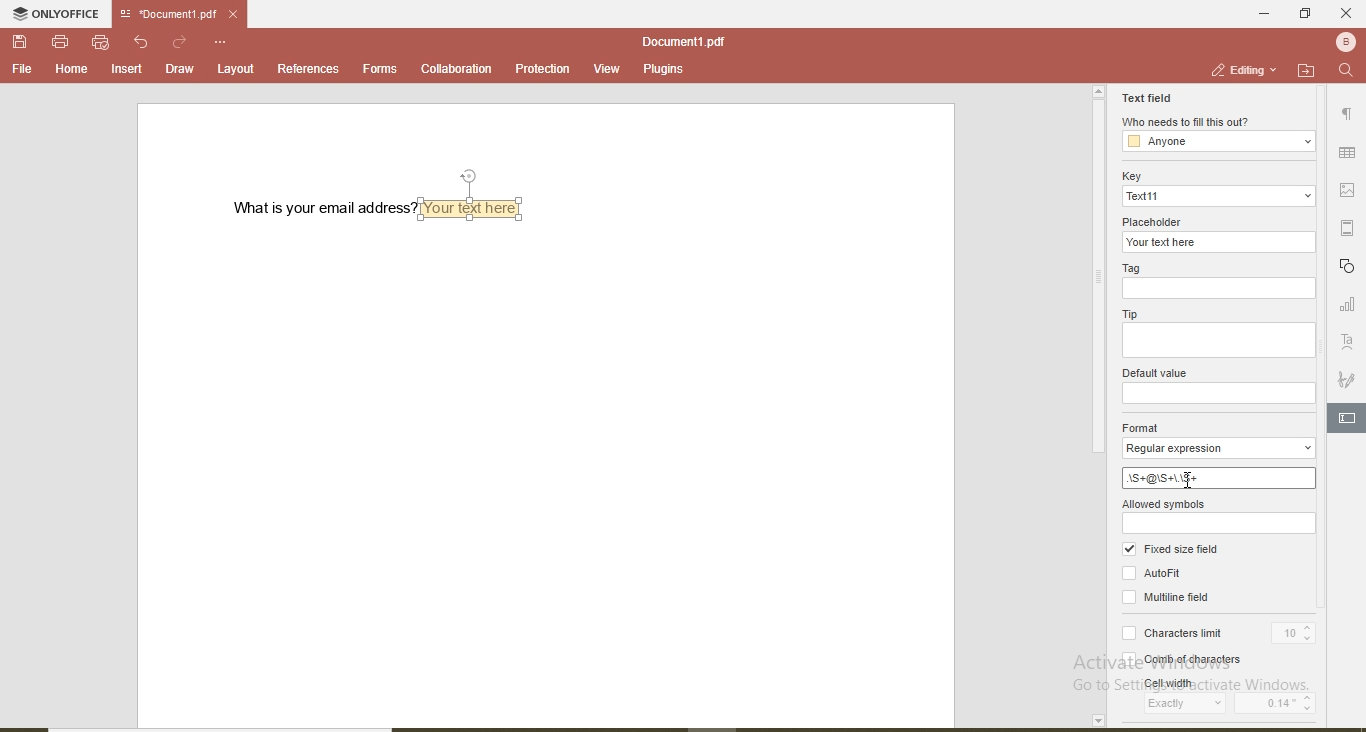  I want to click on horizontal scroll bar, so click(235, 726).